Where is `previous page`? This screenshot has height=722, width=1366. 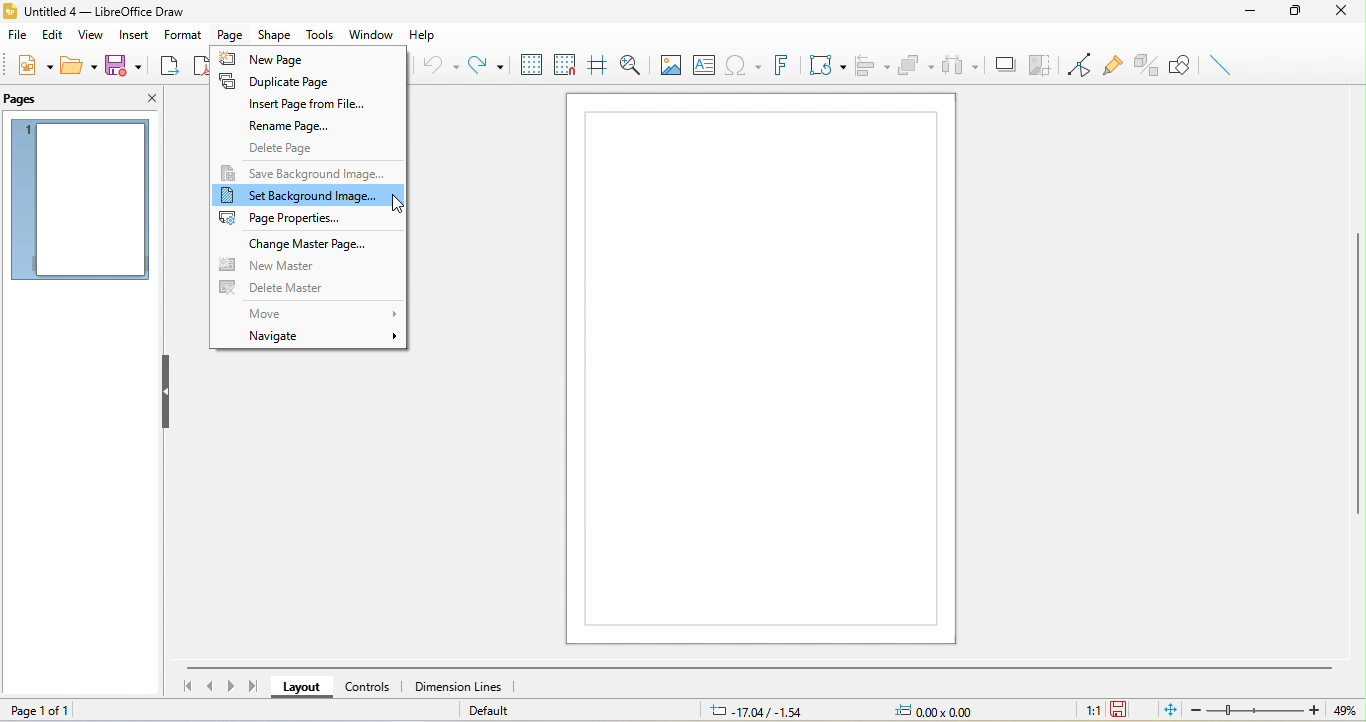 previous page is located at coordinates (208, 686).